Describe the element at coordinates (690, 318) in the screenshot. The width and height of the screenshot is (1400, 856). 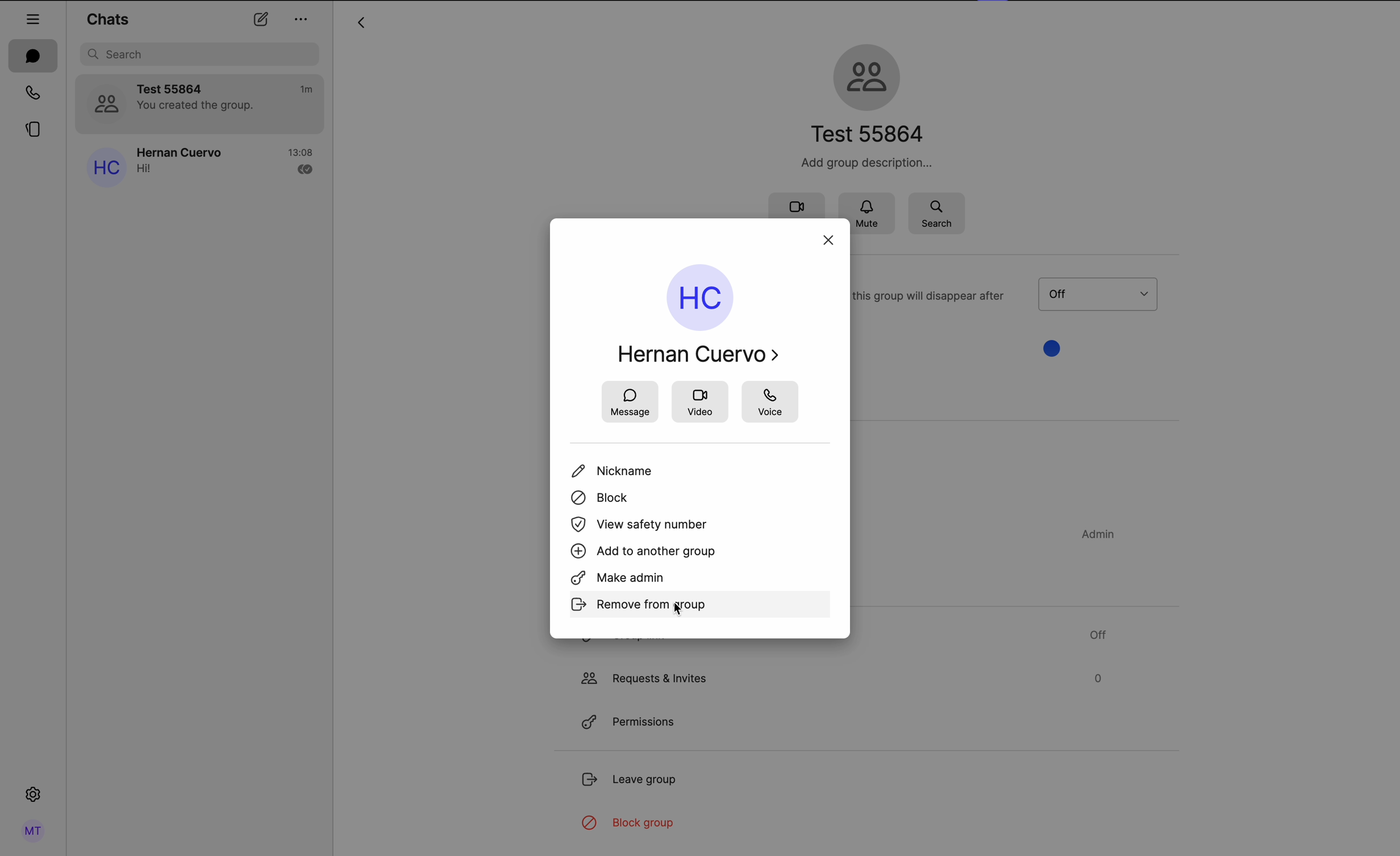
I see `profile contact` at that location.